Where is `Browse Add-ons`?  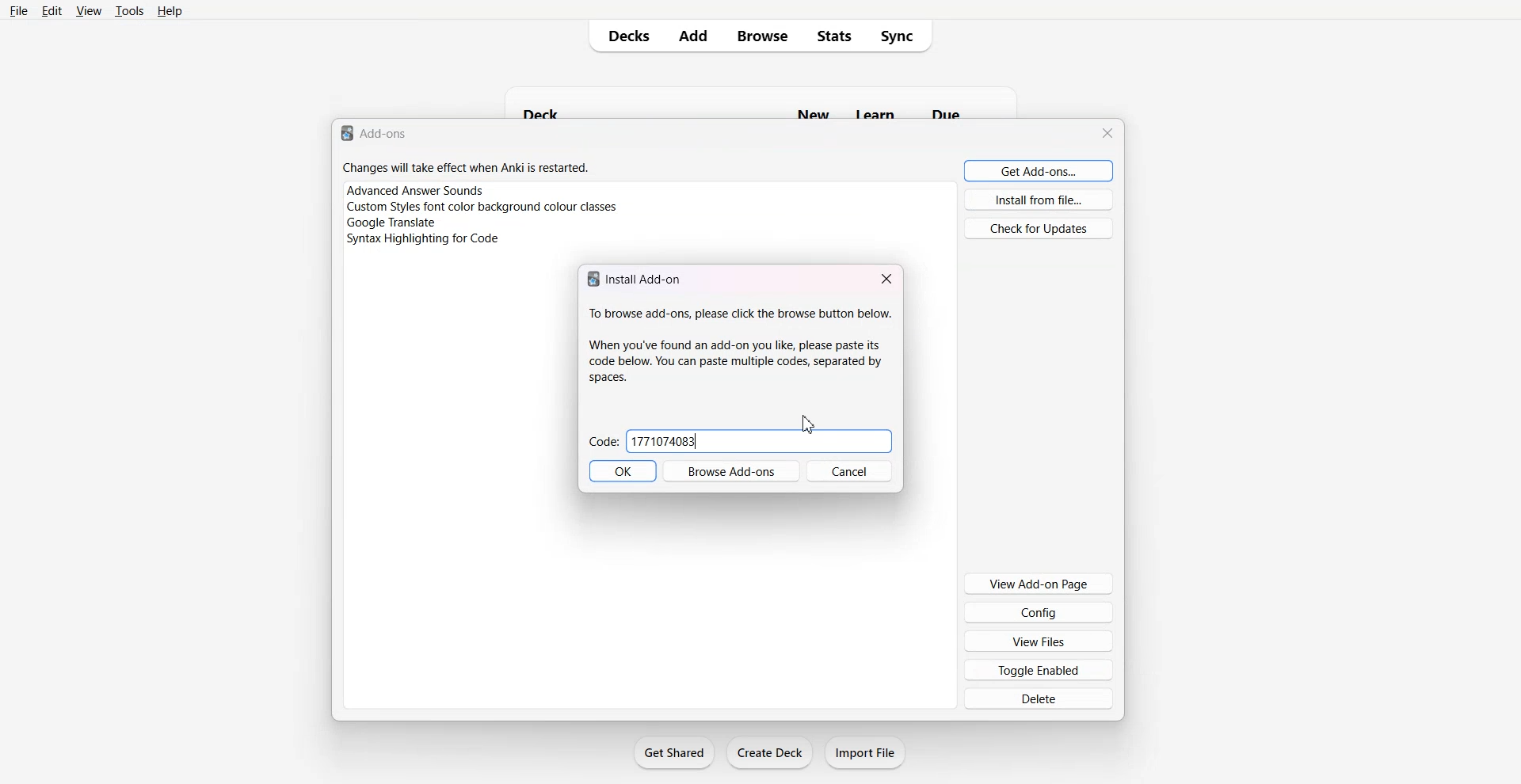 Browse Add-ons is located at coordinates (731, 471).